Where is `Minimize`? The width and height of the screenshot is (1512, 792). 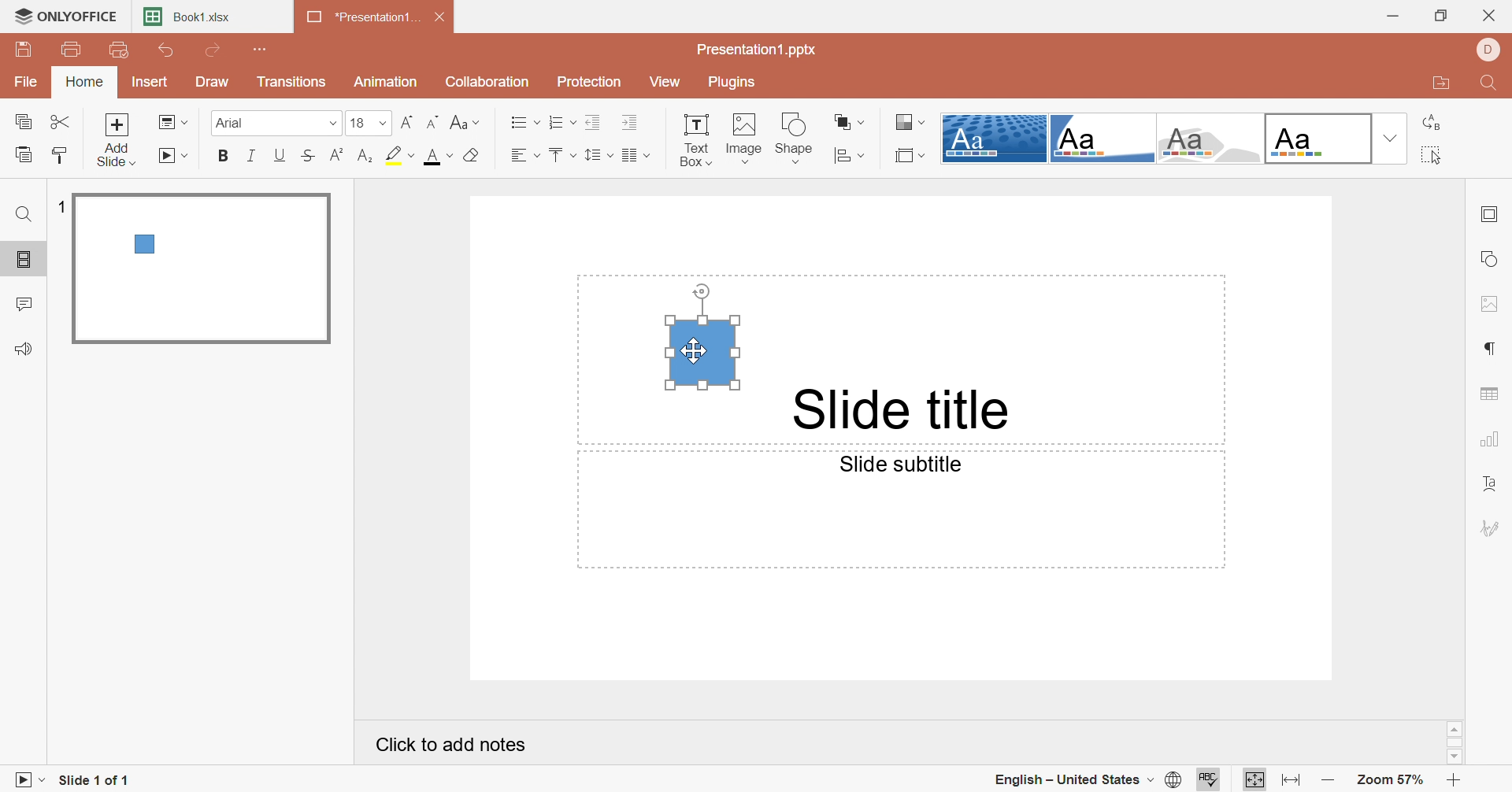
Minimize is located at coordinates (1388, 18).